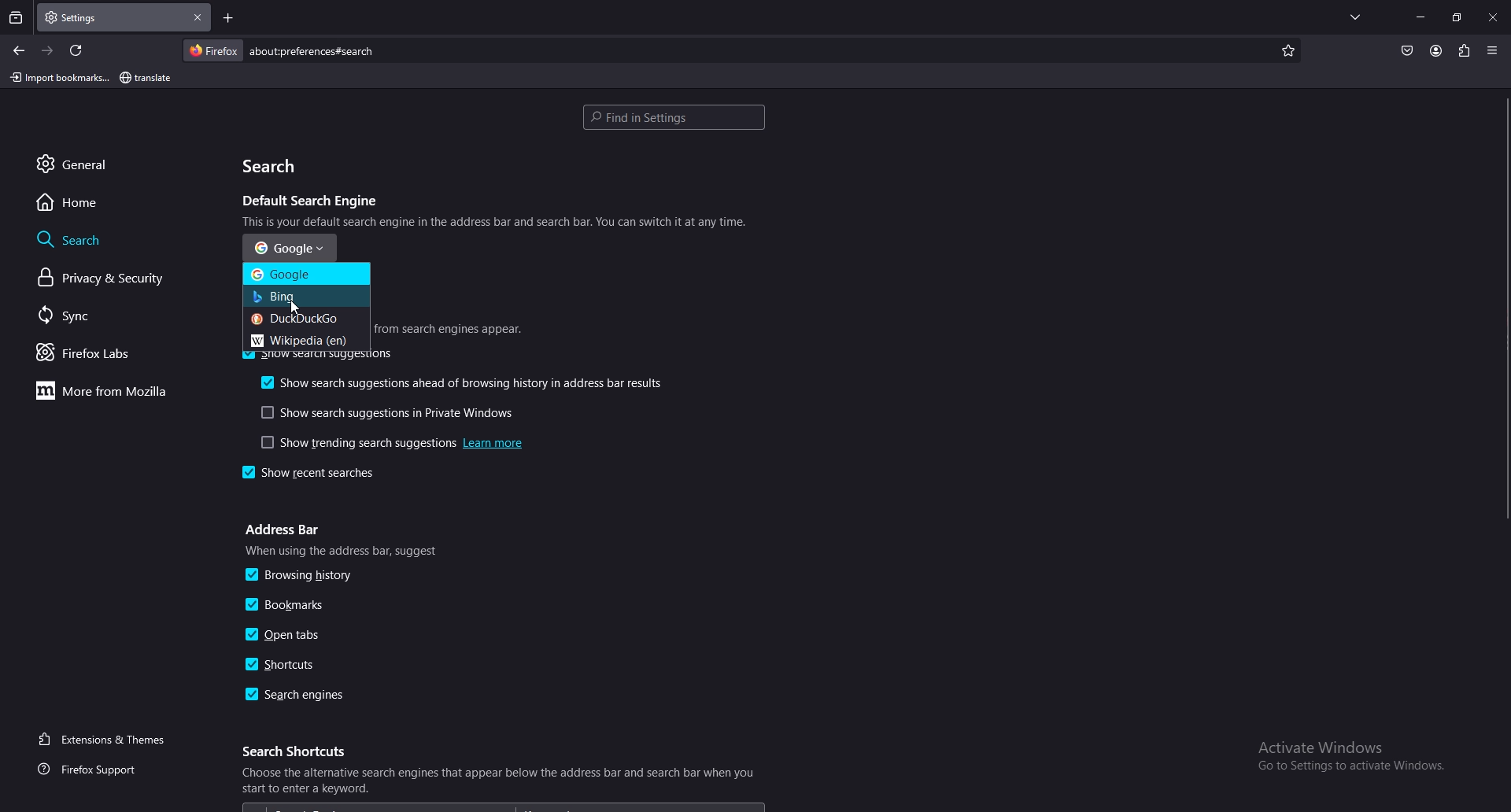 The height and width of the screenshot is (812, 1511). Describe the element at coordinates (118, 238) in the screenshot. I see `search` at that location.